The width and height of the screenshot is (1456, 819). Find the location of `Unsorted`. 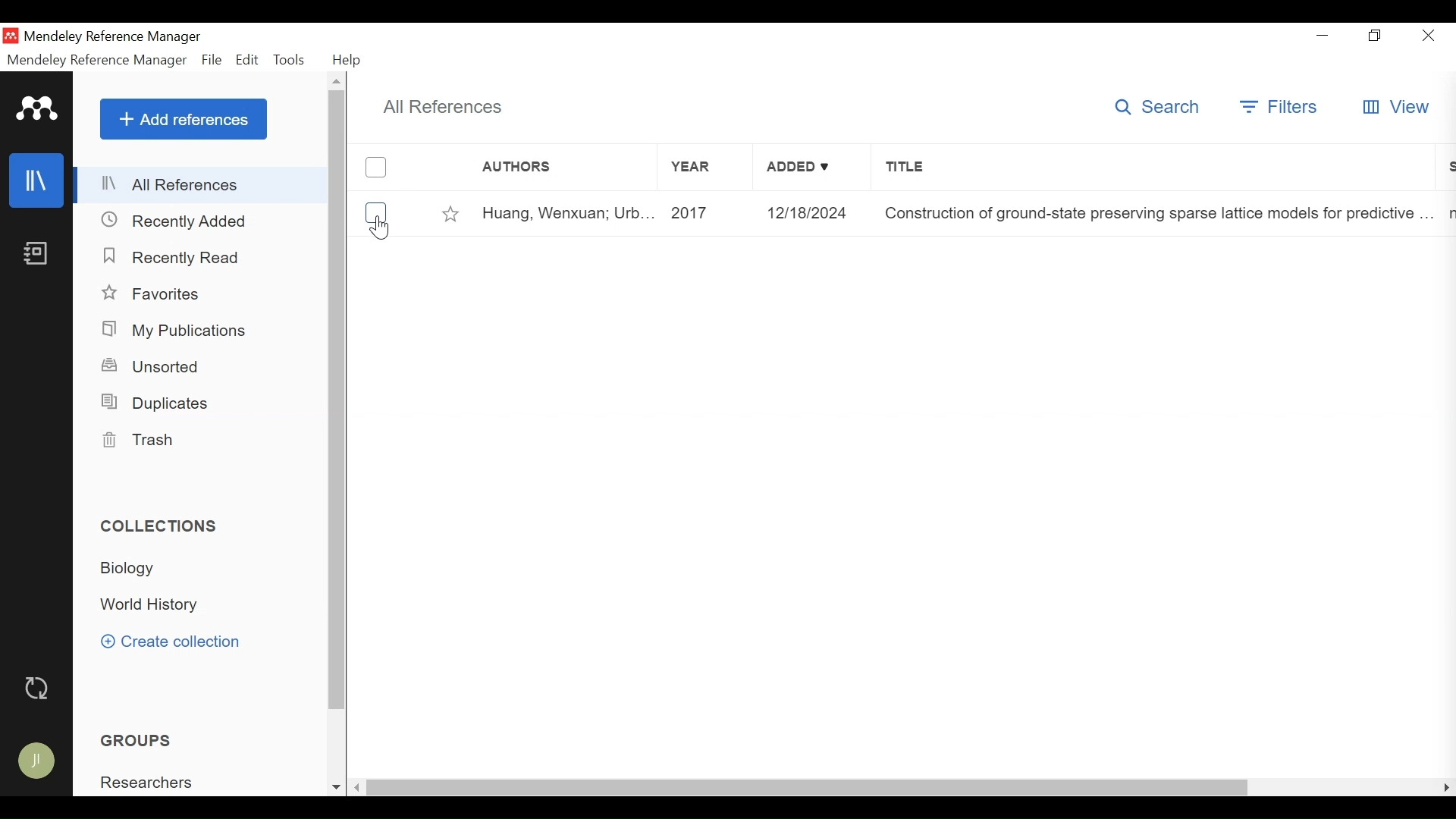

Unsorted is located at coordinates (158, 366).